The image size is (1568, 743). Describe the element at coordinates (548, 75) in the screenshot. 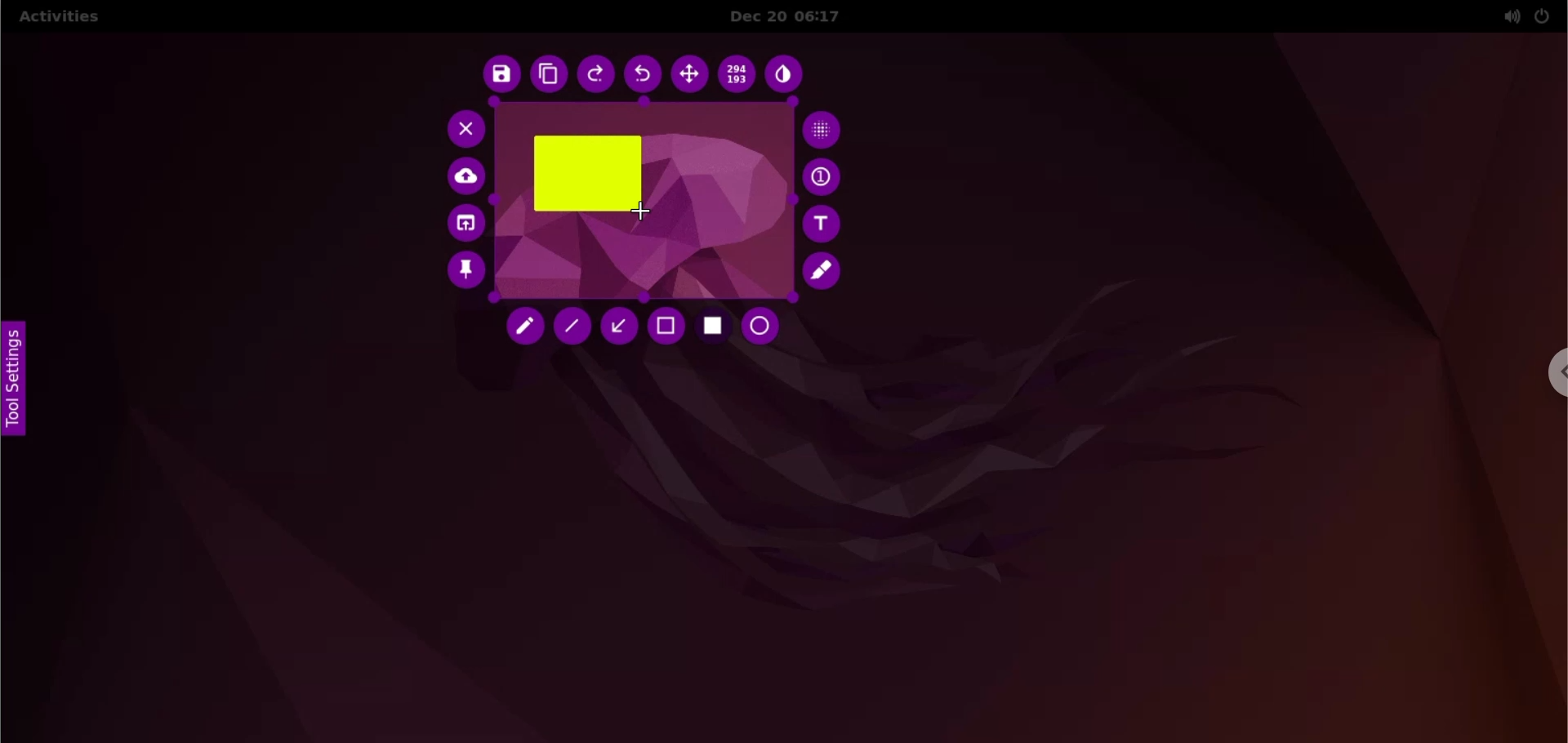

I see `copy to clipboard` at that location.